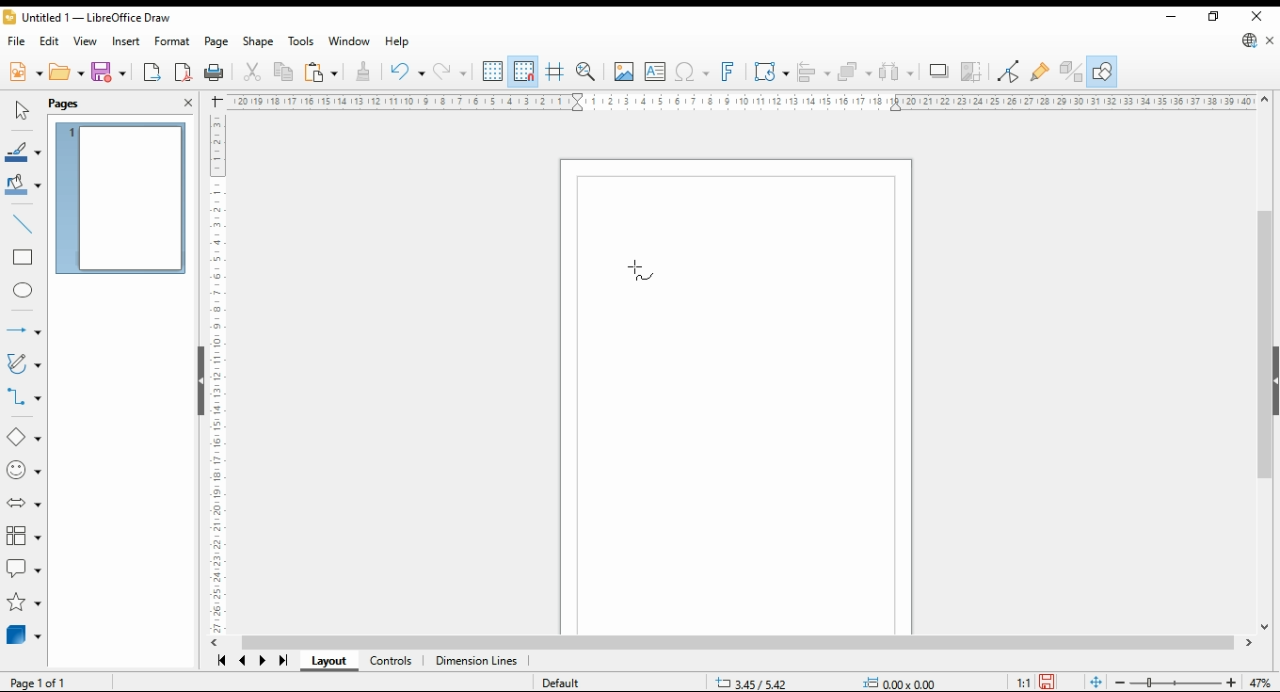  Describe the element at coordinates (740, 101) in the screenshot. I see `Ruler` at that location.